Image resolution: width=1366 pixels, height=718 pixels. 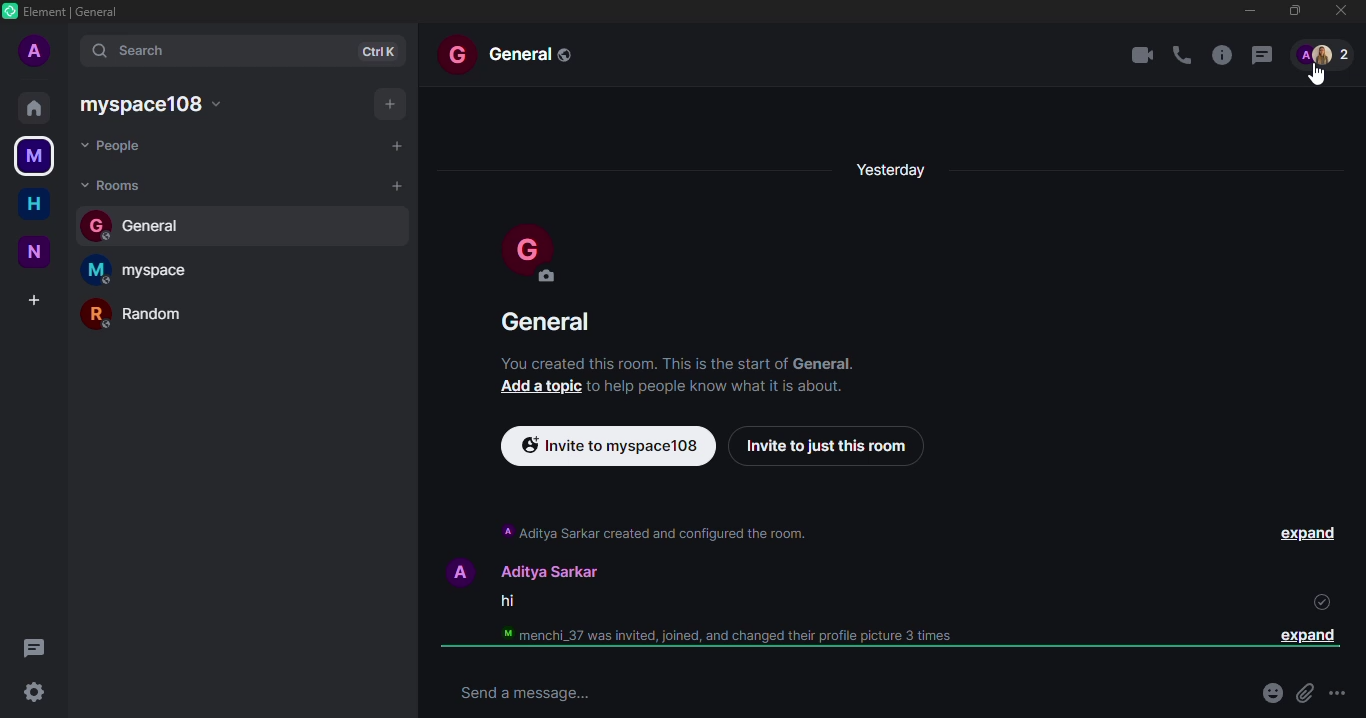 What do you see at coordinates (679, 362) in the screenshot?
I see `You created this room. This is the start of General.` at bounding box center [679, 362].